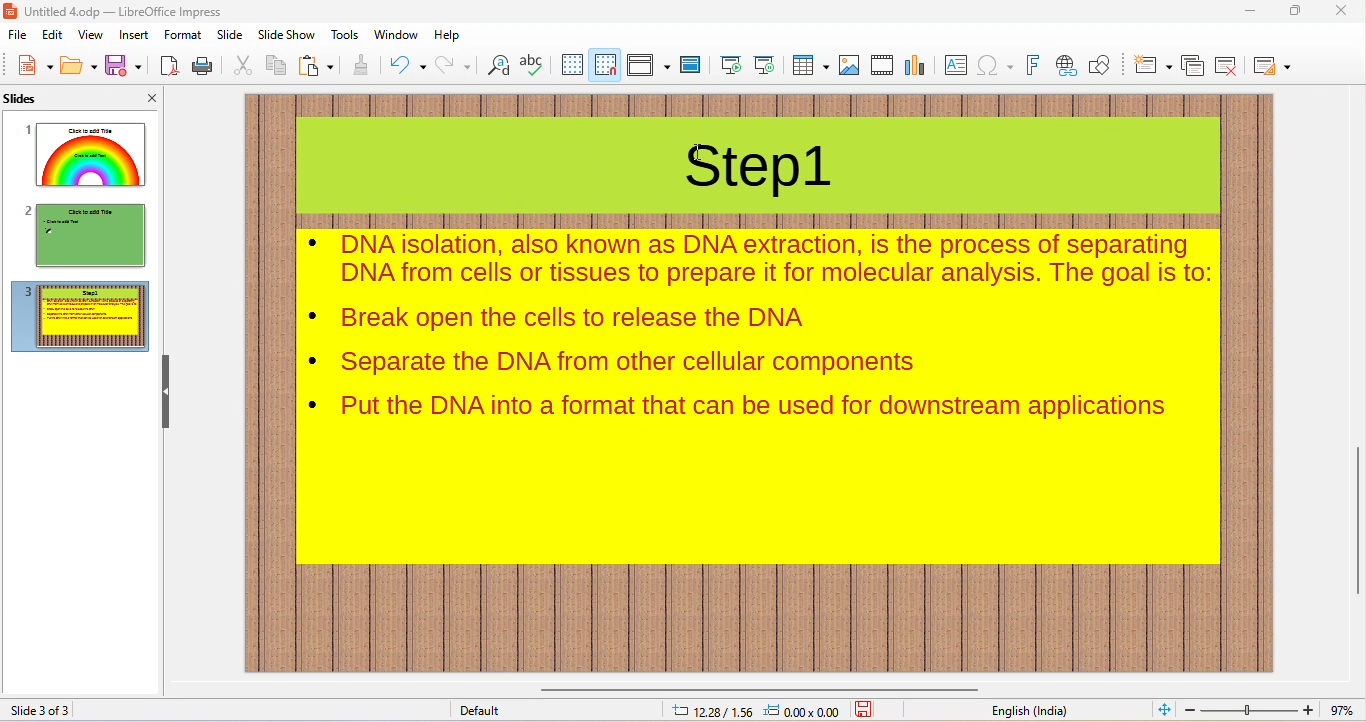  I want to click on title, so click(760, 164).